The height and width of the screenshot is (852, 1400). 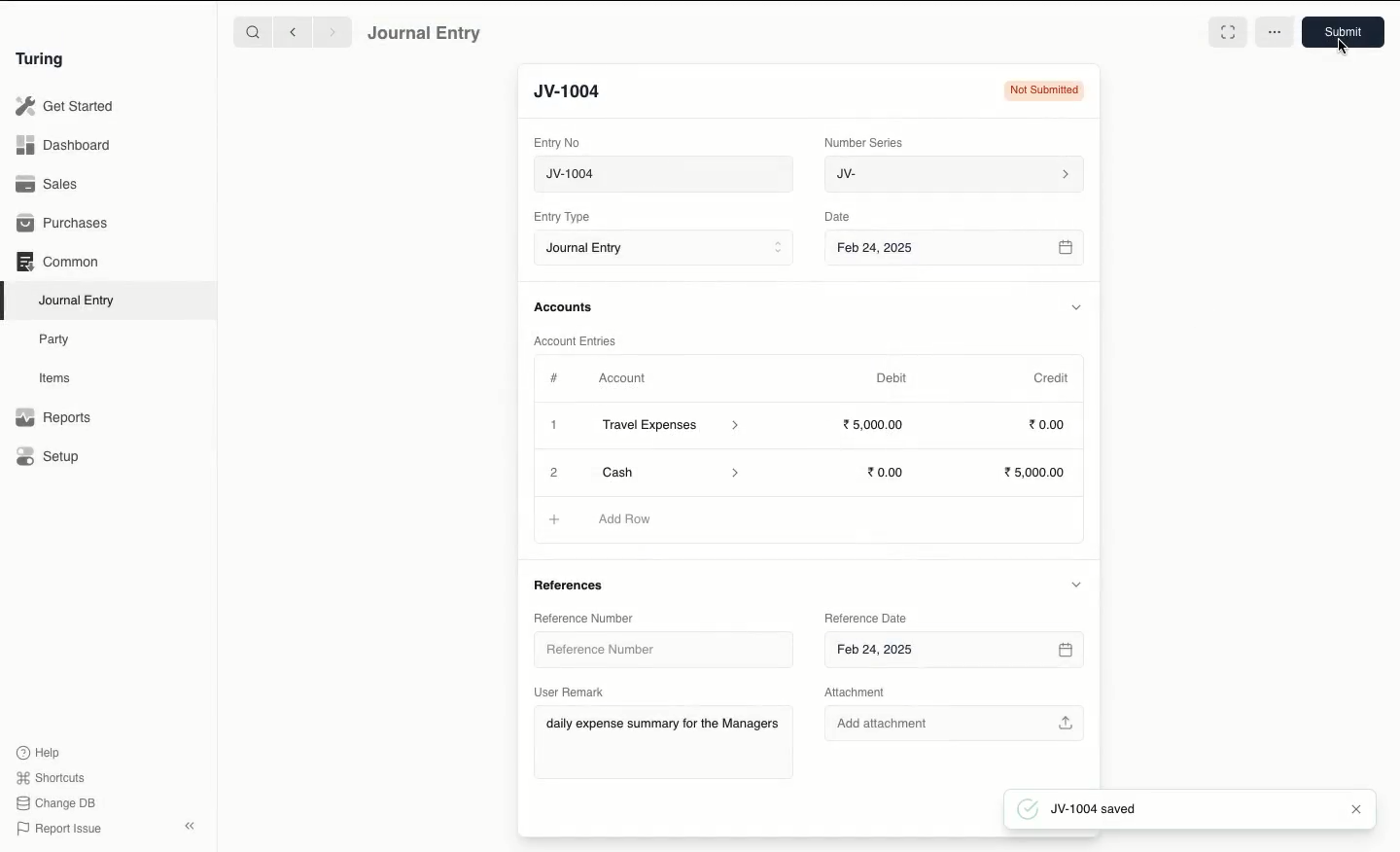 I want to click on JV-, so click(x=956, y=175).